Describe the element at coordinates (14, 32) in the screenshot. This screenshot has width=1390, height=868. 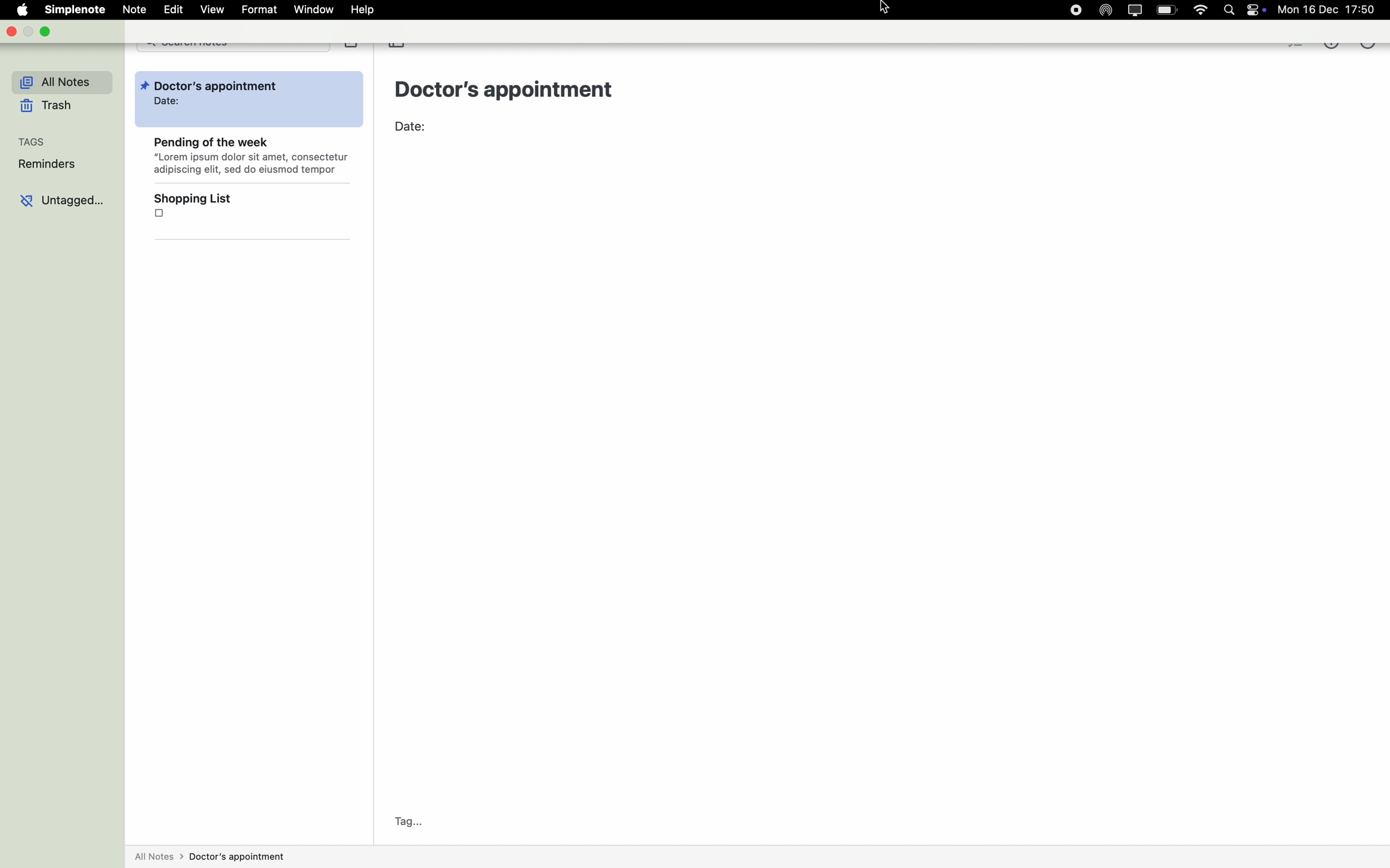
I see `close` at that location.